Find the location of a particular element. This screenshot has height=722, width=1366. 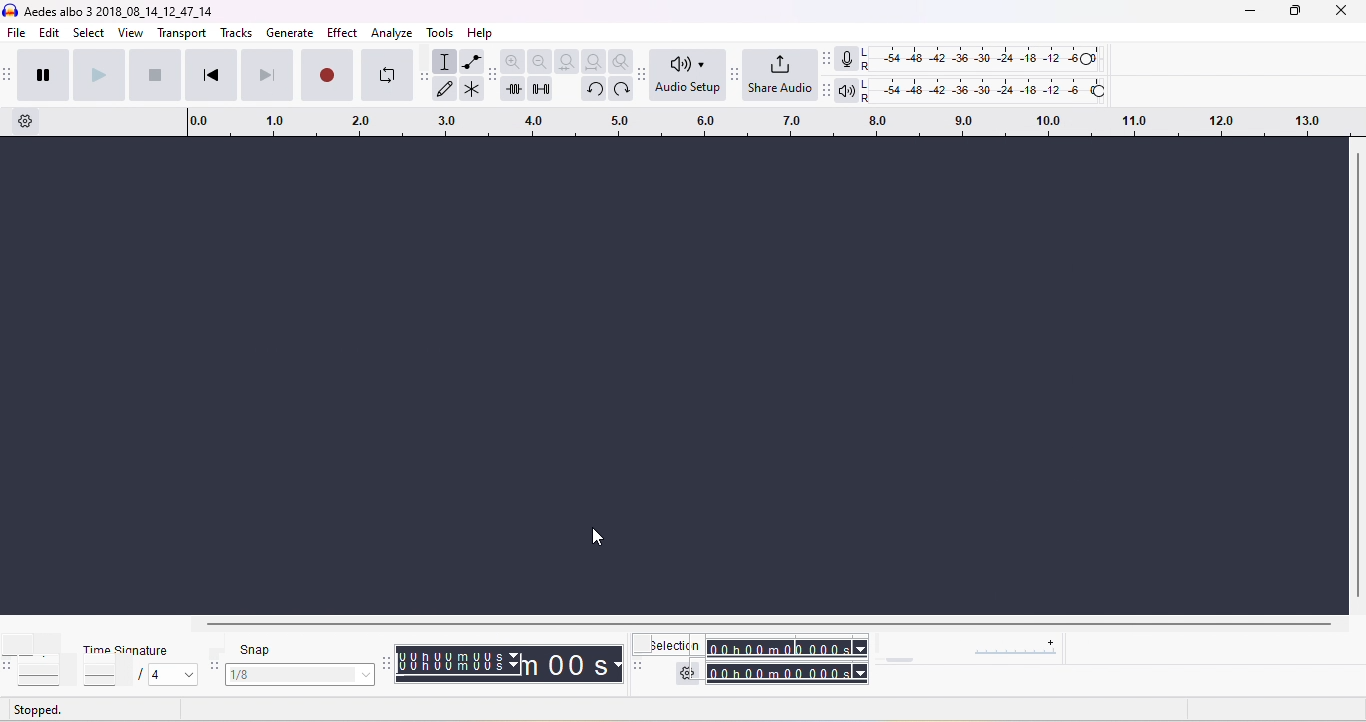

view is located at coordinates (132, 32).